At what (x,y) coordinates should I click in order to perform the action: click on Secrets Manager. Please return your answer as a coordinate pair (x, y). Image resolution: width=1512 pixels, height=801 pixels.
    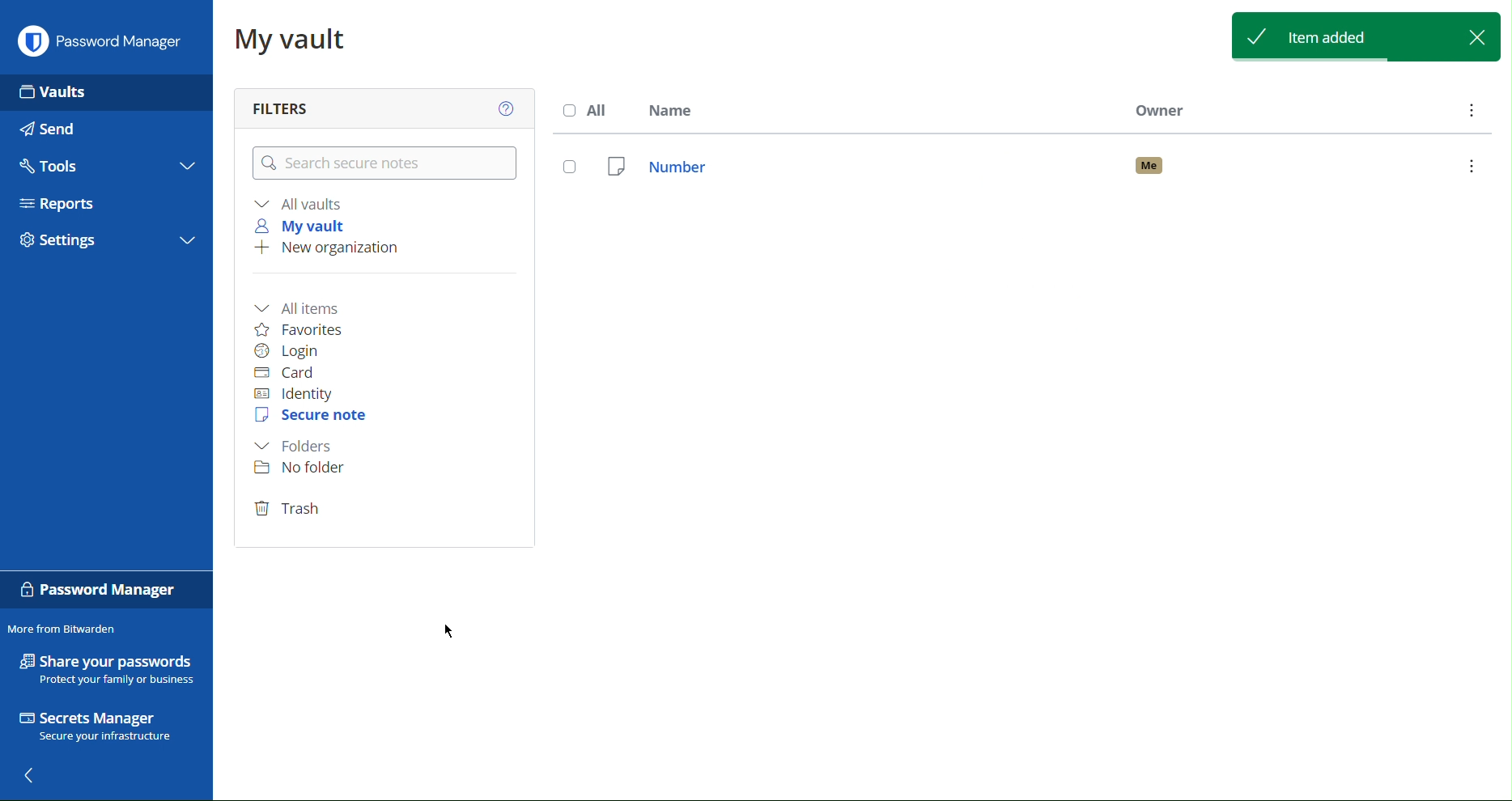
    Looking at the image, I should click on (109, 727).